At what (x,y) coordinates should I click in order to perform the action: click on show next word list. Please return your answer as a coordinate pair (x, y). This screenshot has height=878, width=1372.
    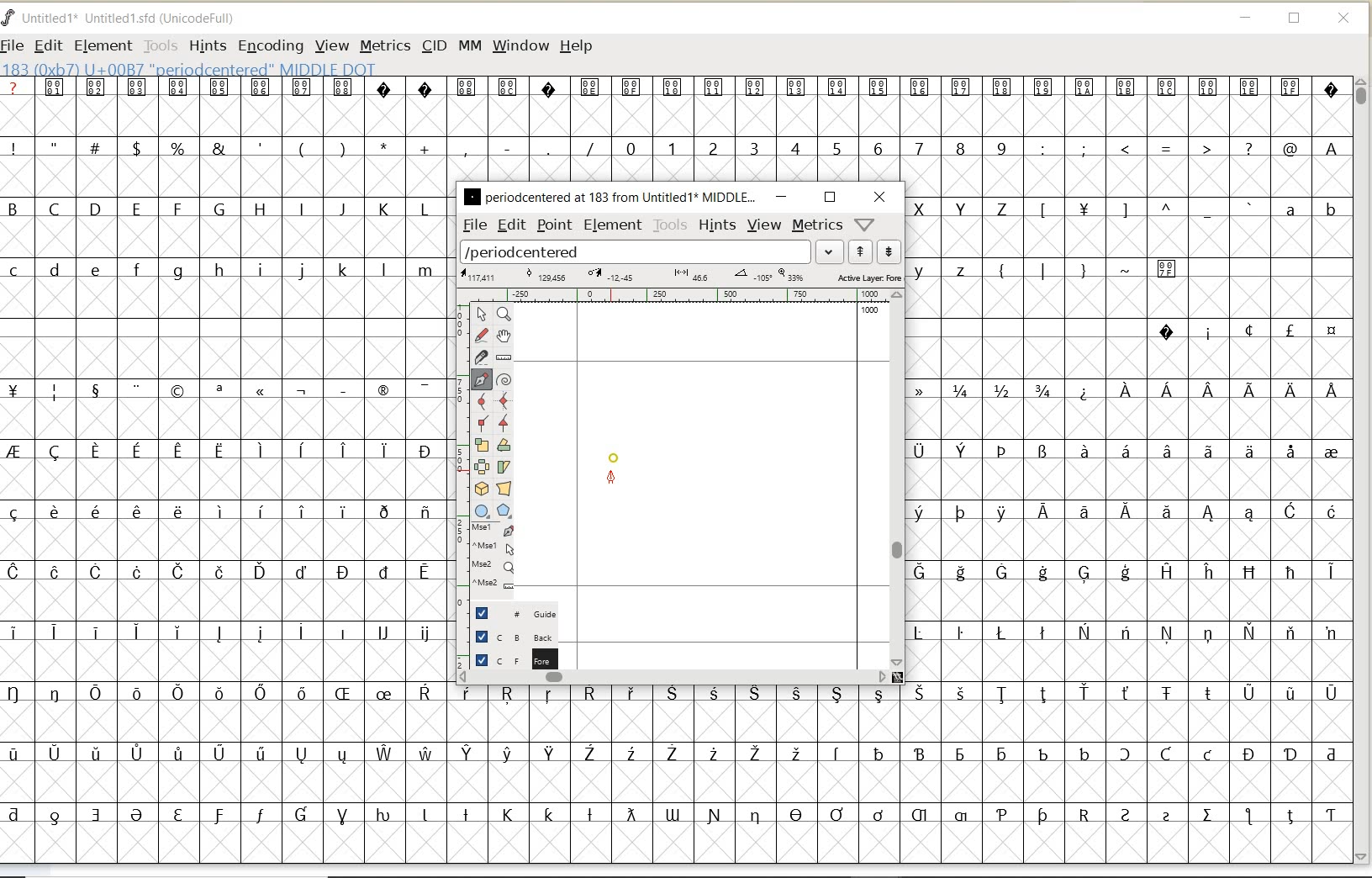
    Looking at the image, I should click on (891, 252).